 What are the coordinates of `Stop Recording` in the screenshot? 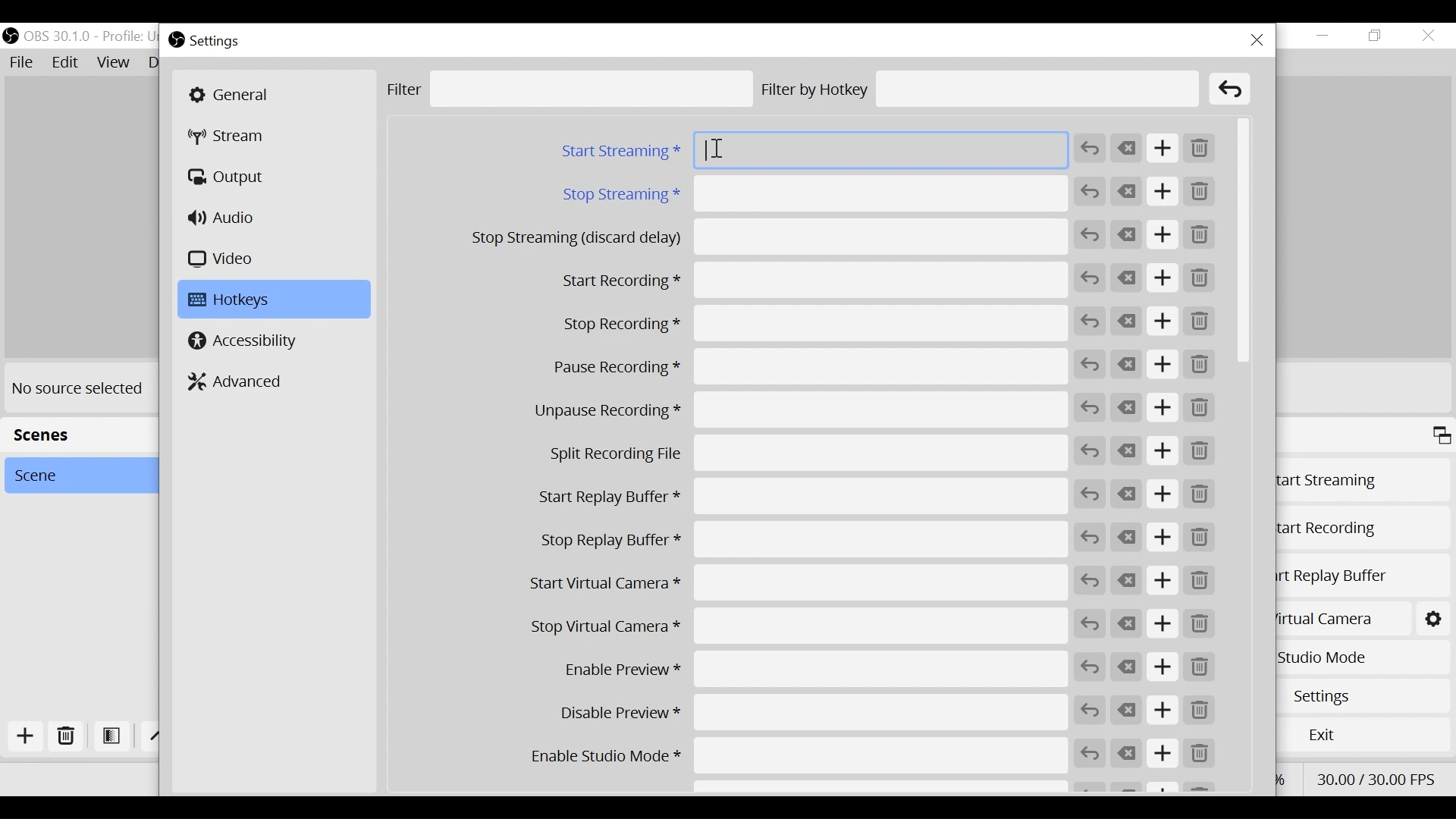 It's located at (799, 325).